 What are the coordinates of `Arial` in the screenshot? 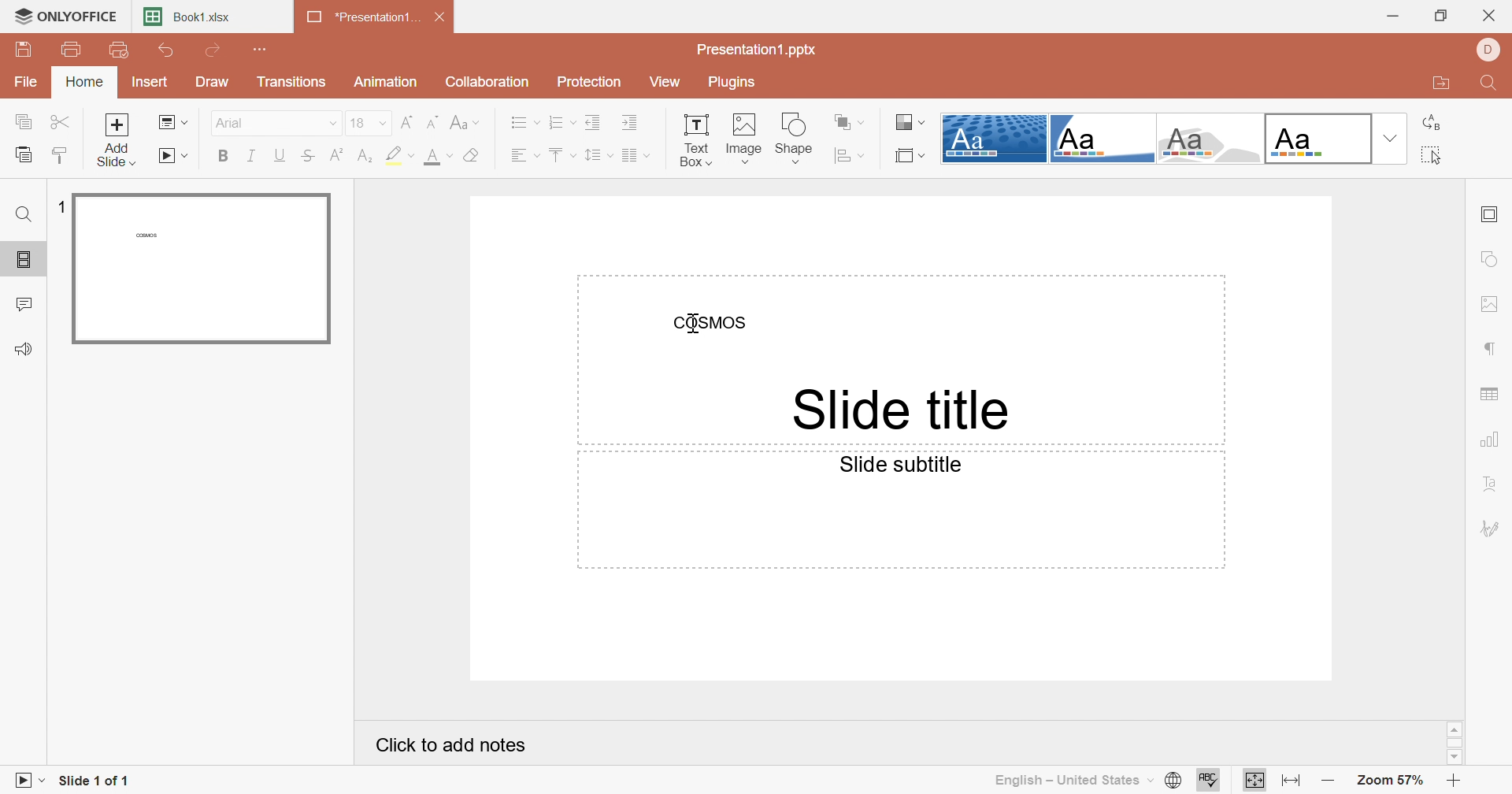 It's located at (278, 124).